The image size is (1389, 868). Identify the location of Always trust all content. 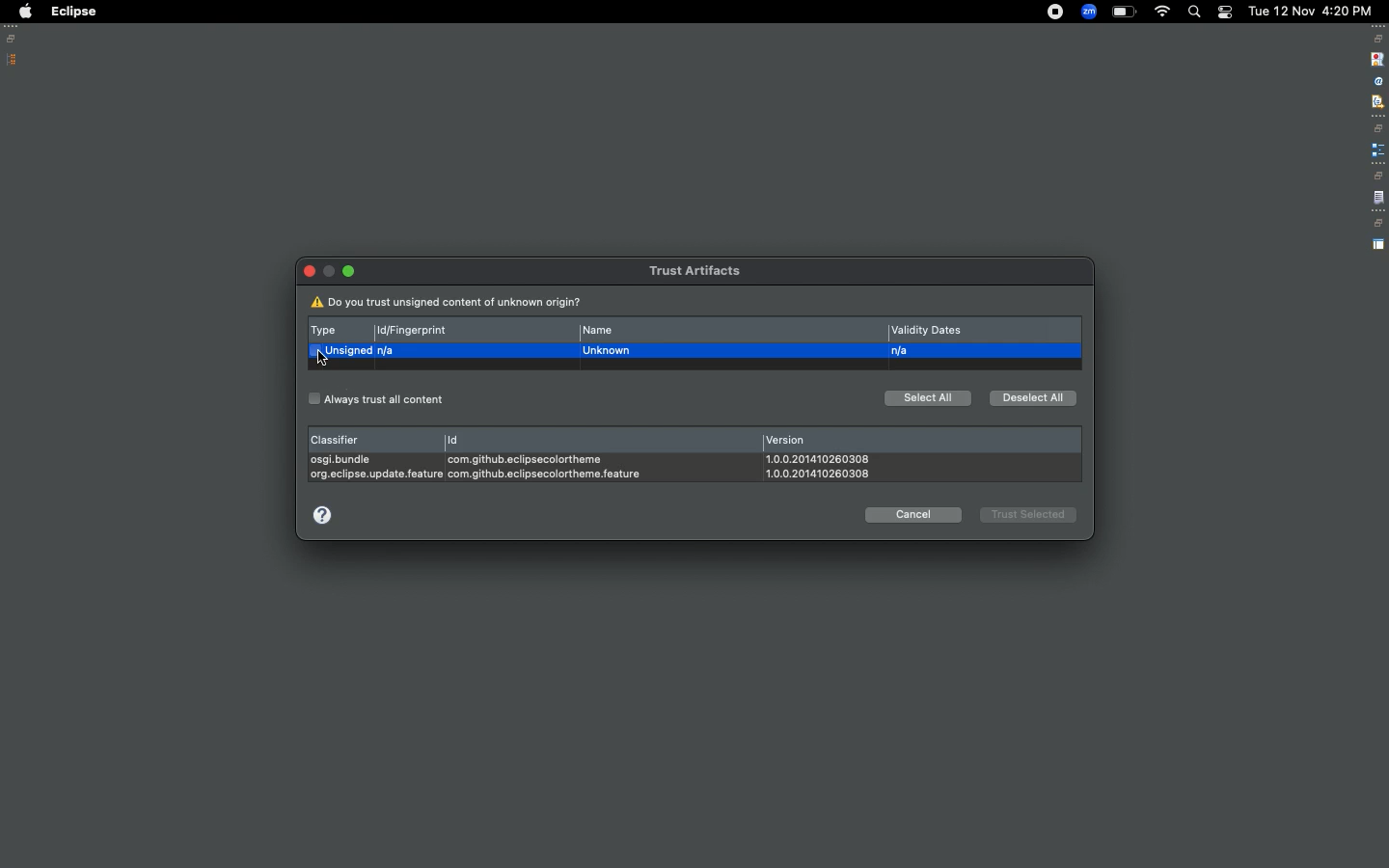
(377, 399).